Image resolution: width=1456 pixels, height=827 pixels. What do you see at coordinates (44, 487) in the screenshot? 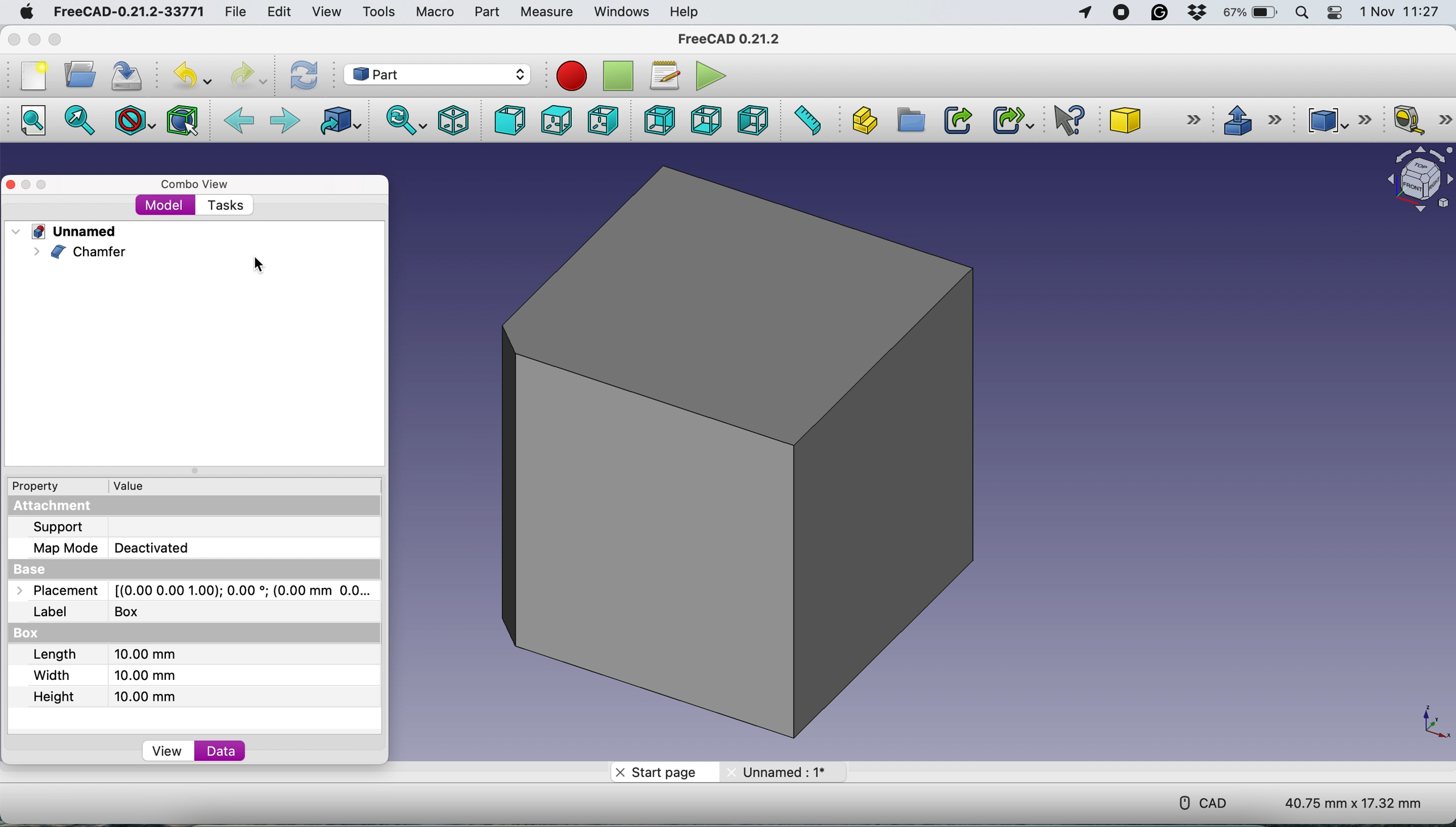
I see `property` at bounding box center [44, 487].